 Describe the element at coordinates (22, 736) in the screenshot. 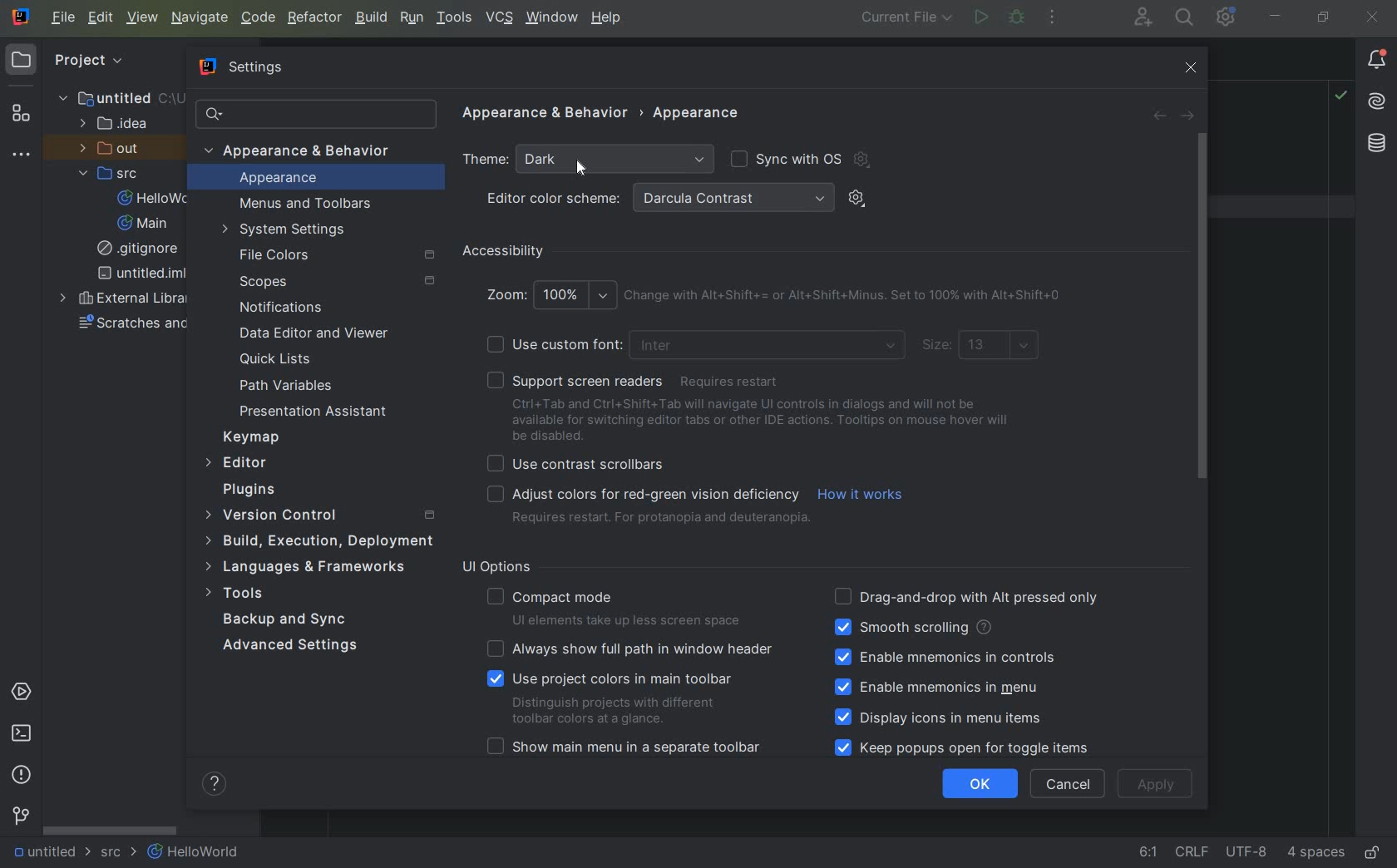

I see `TERMINAL` at that location.